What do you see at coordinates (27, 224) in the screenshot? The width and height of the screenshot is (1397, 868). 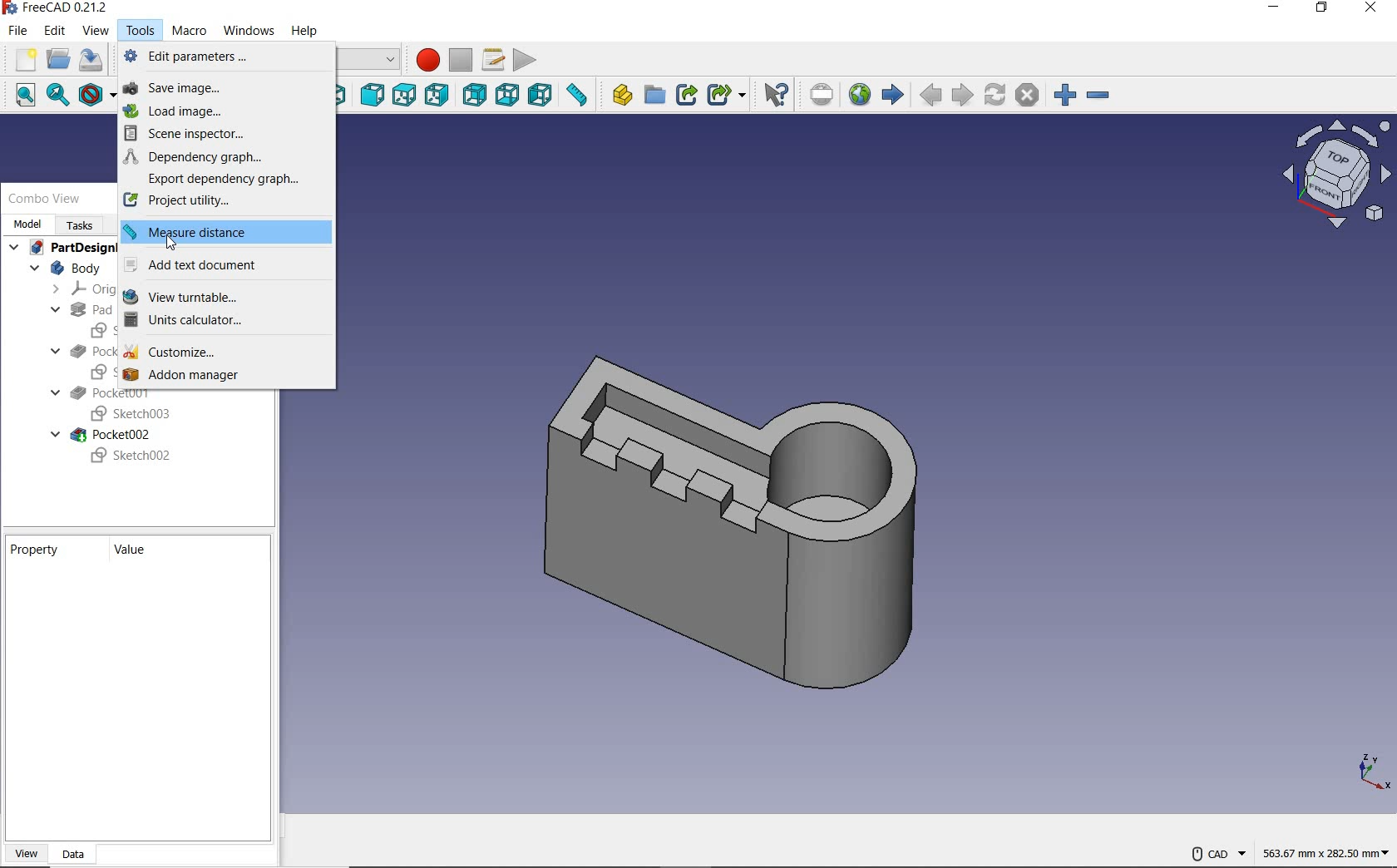 I see `MODEL` at bounding box center [27, 224].